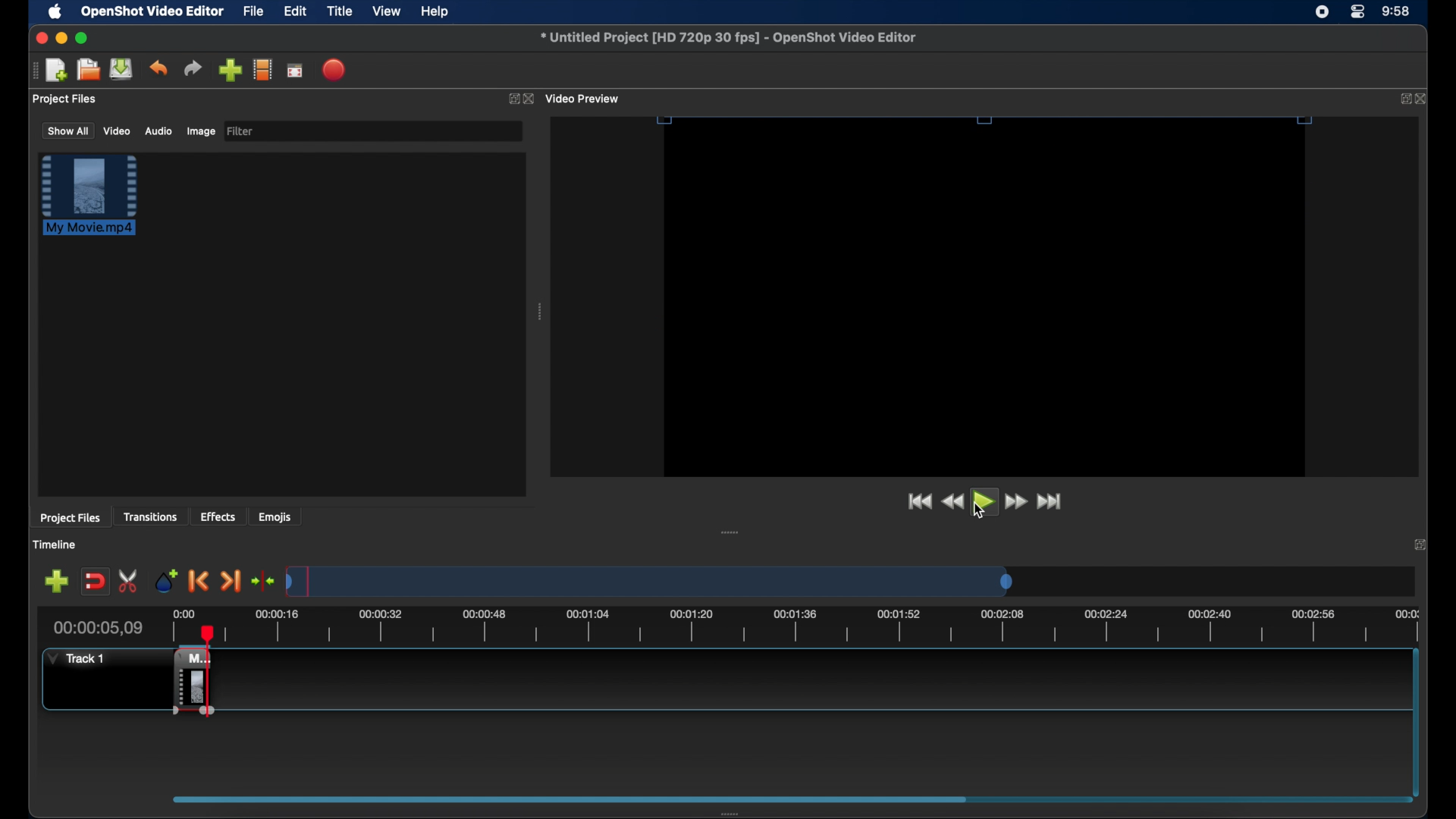 The height and width of the screenshot is (819, 1456). I want to click on expand, so click(1401, 99).